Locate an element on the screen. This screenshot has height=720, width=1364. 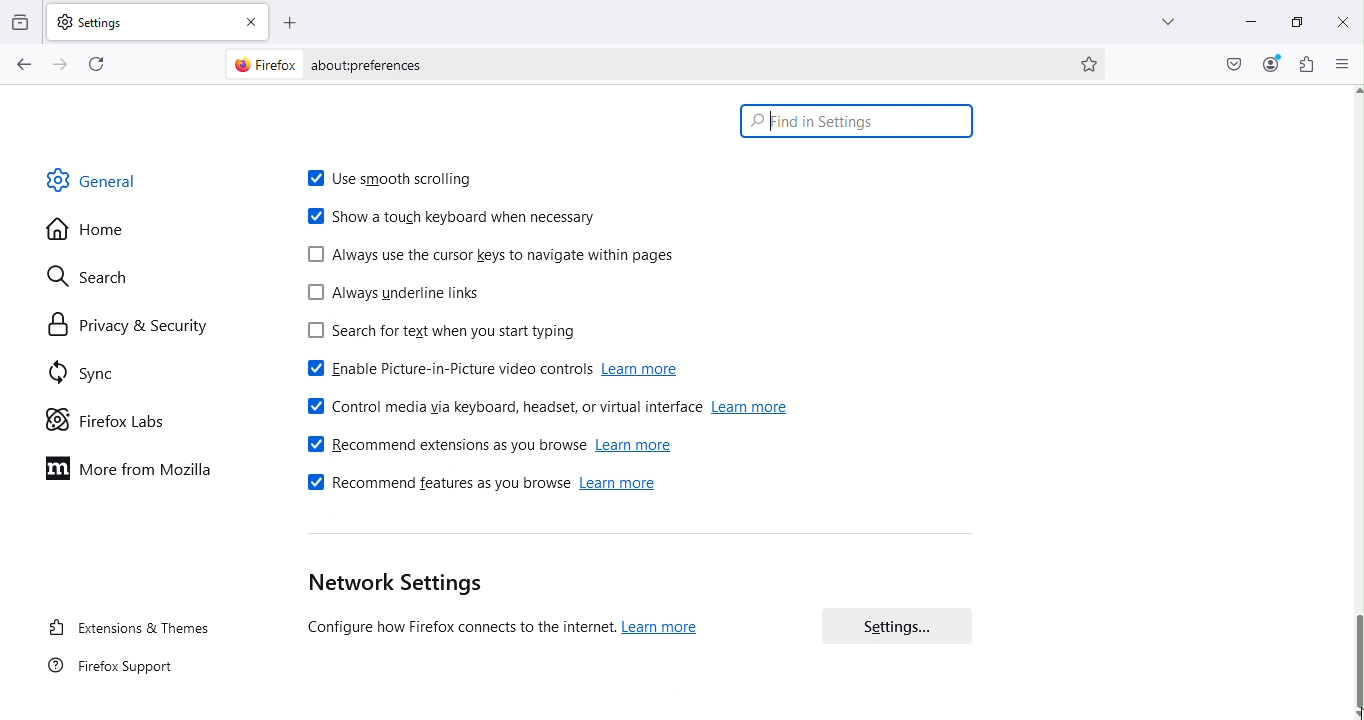
Go forward one page is located at coordinates (58, 63).